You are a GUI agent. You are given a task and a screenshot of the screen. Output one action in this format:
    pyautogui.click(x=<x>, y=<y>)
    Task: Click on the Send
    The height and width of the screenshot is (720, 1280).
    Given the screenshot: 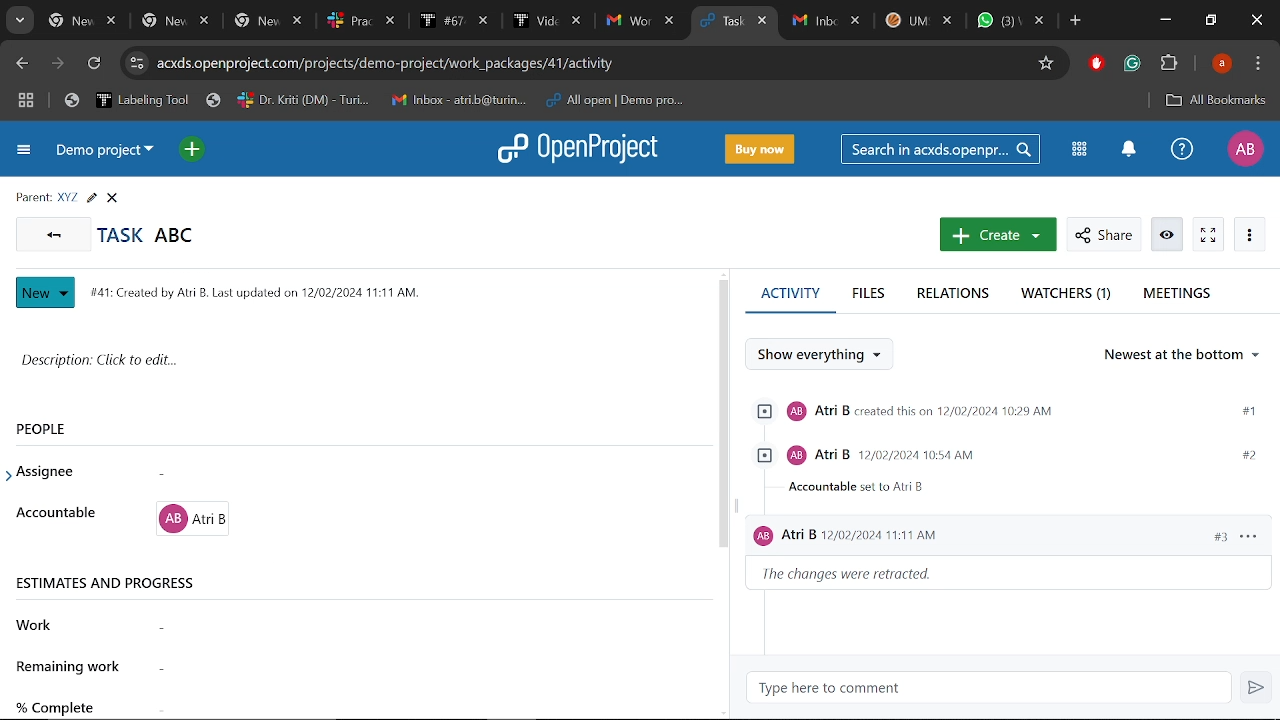 What is the action you would take?
    pyautogui.click(x=1258, y=690)
    